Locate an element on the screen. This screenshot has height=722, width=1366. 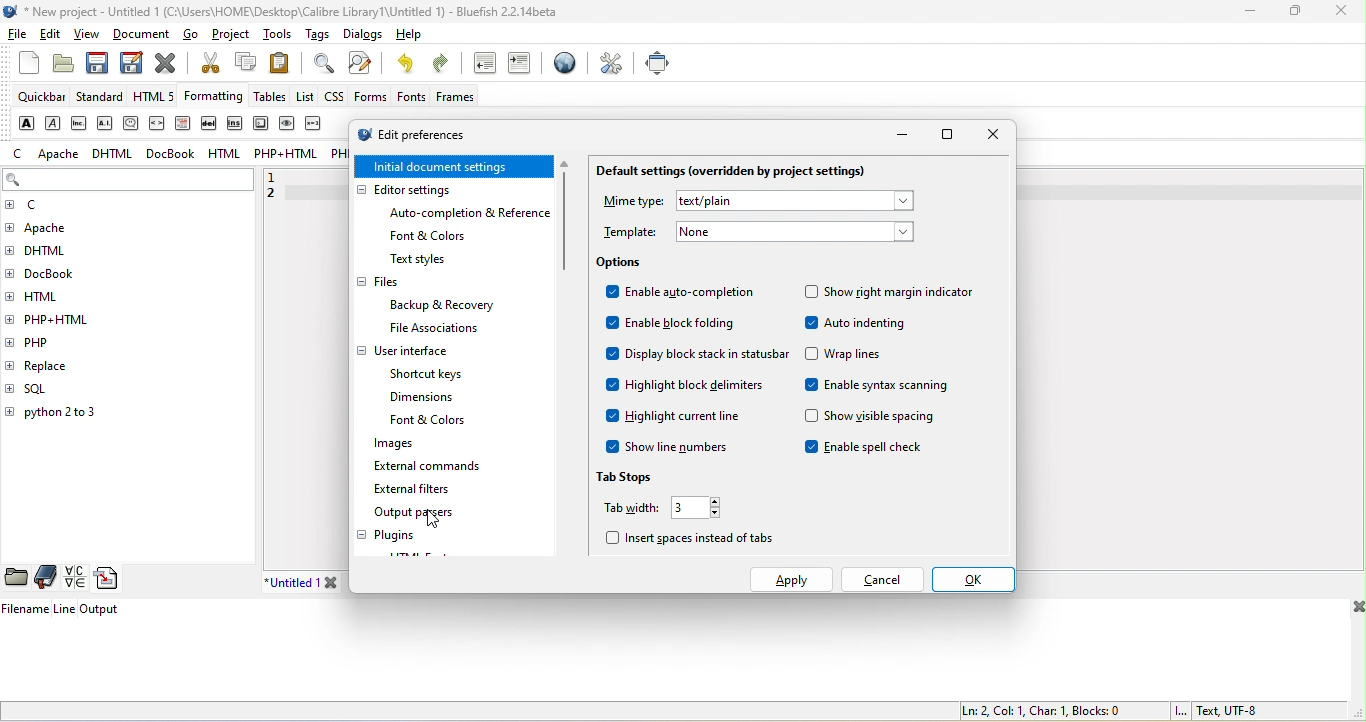
python 2 to 3 is located at coordinates (73, 415).